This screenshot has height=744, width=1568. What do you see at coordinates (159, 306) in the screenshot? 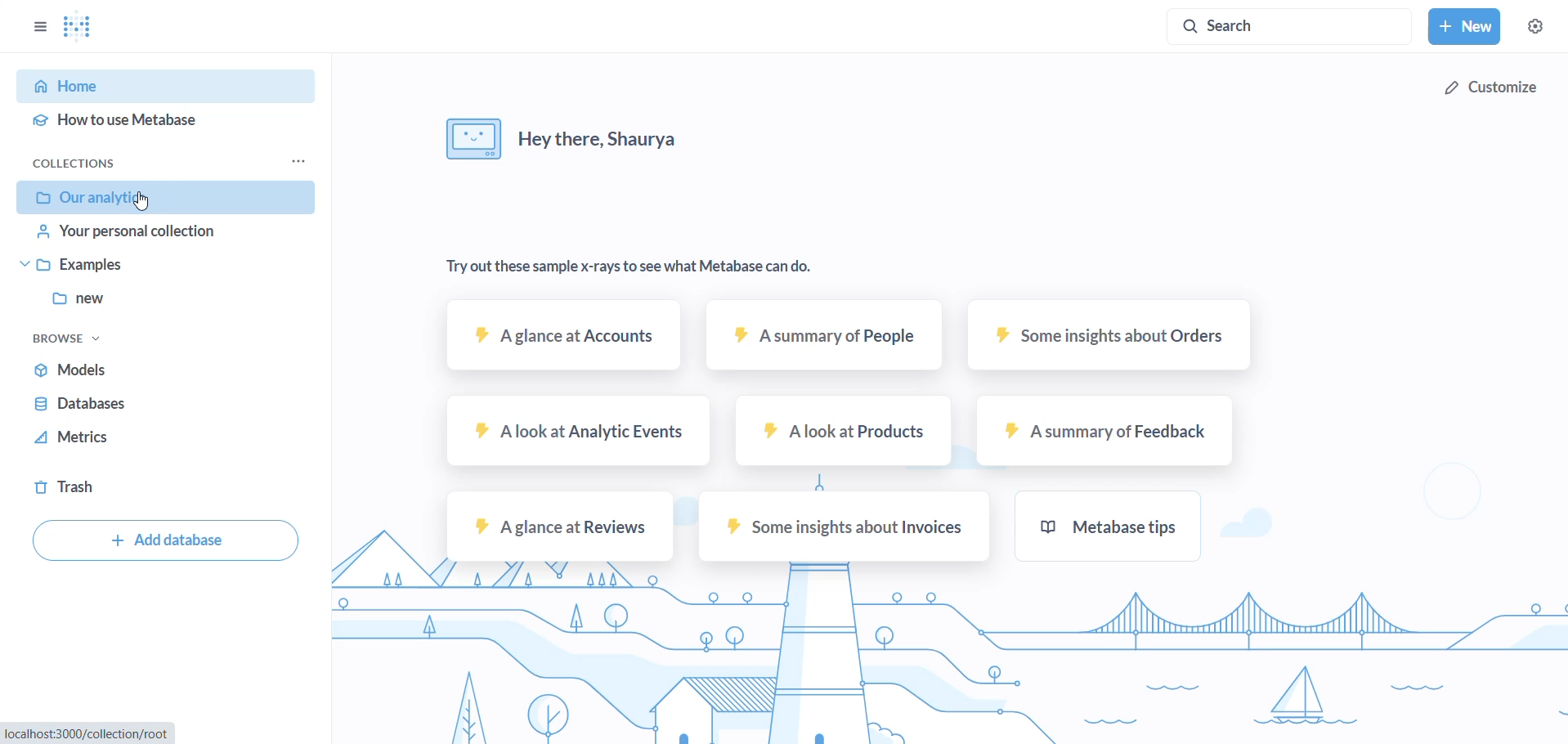
I see `new` at bounding box center [159, 306].